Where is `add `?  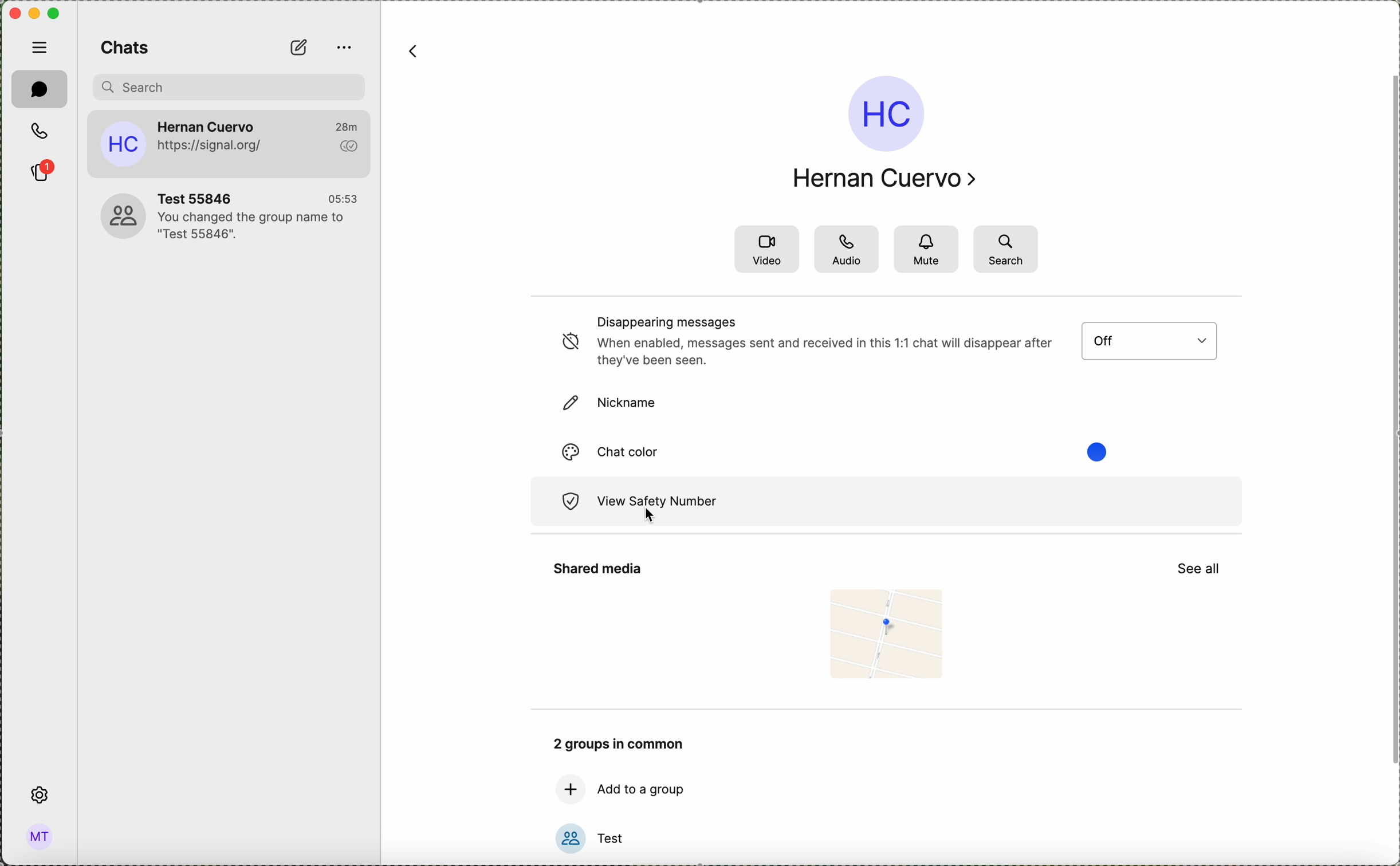
add  is located at coordinates (565, 788).